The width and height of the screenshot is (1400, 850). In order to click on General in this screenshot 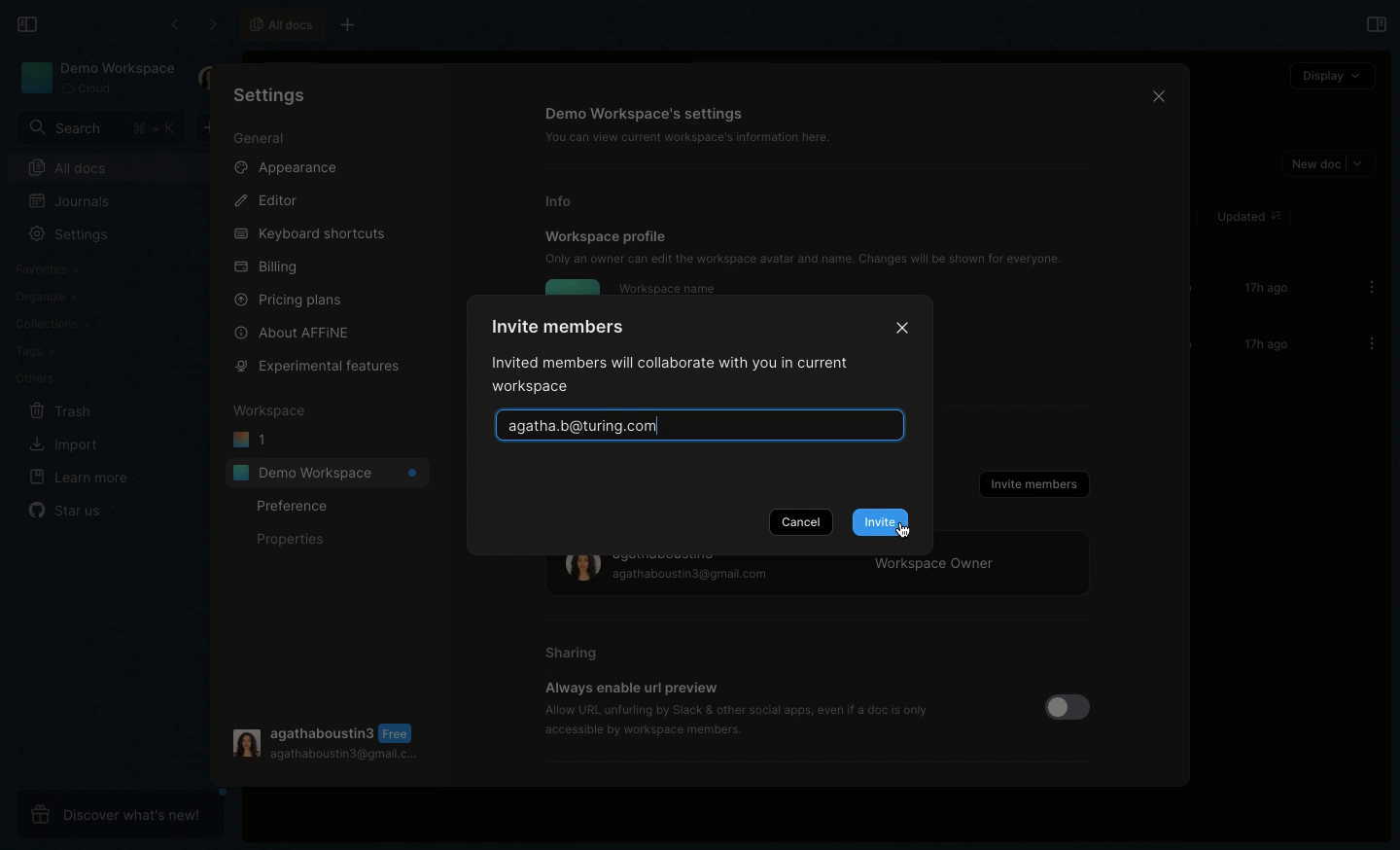, I will do `click(262, 137)`.